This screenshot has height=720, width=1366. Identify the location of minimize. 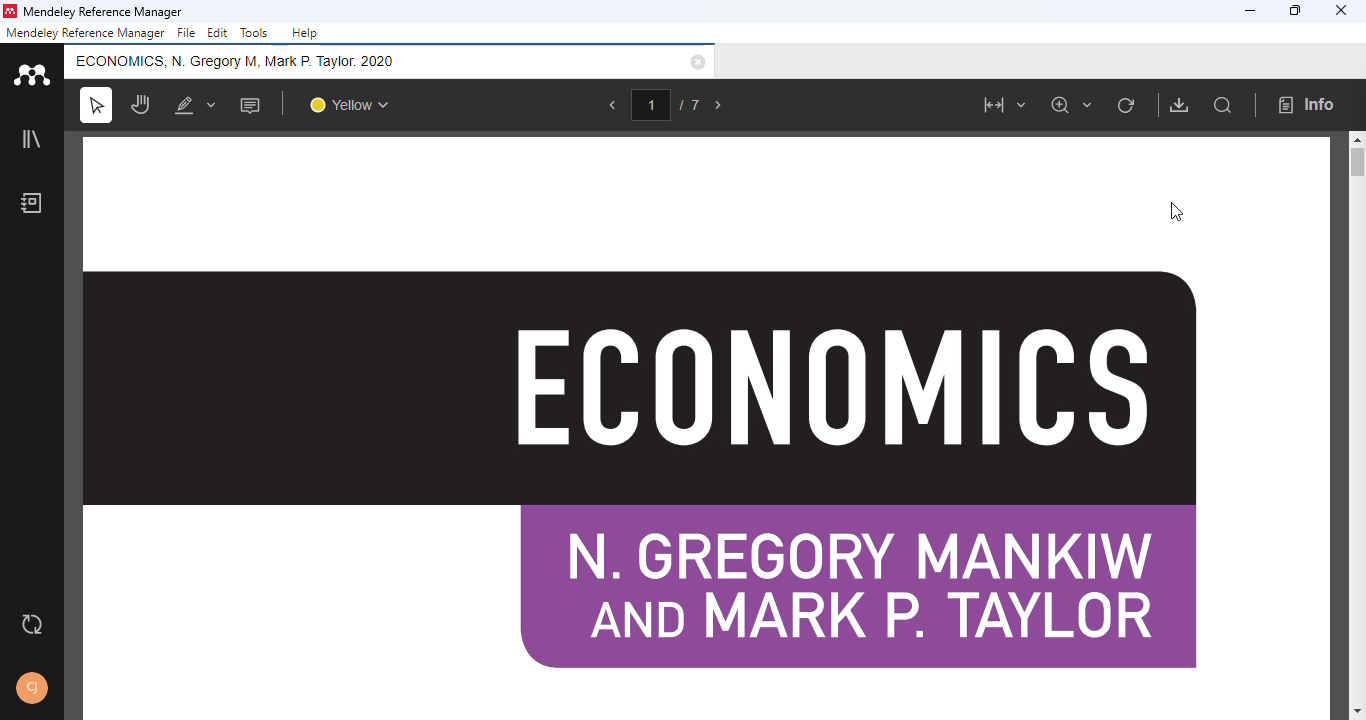
(1251, 11).